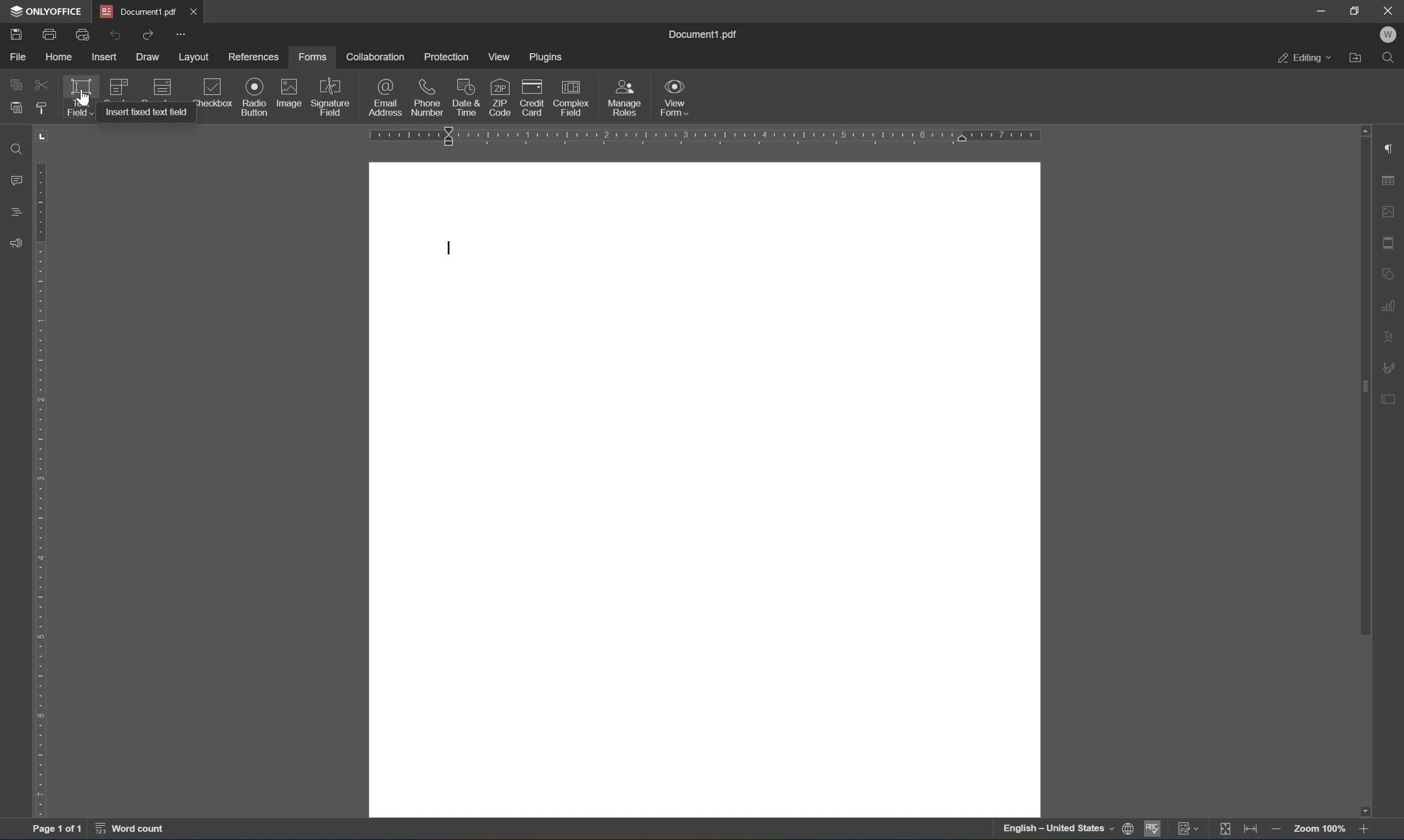 The image size is (1404, 840). What do you see at coordinates (335, 94) in the screenshot?
I see `signature field` at bounding box center [335, 94].